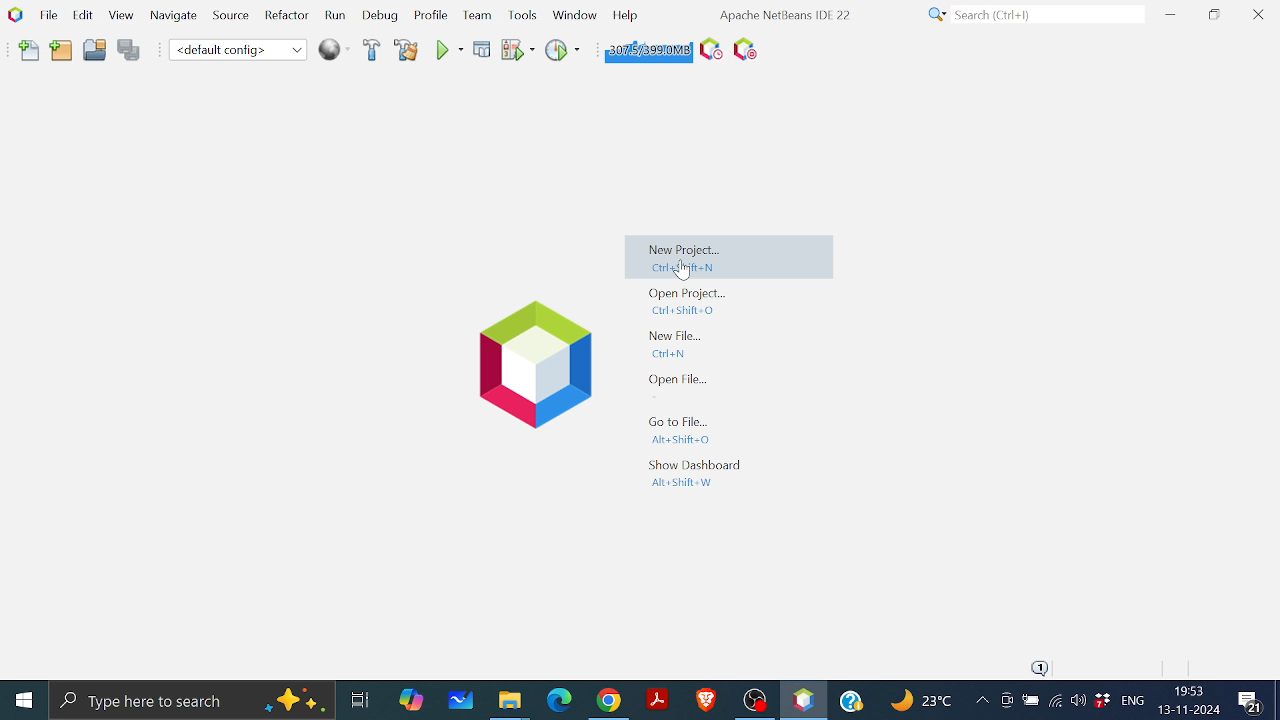 The height and width of the screenshot is (720, 1280). Describe the element at coordinates (754, 699) in the screenshot. I see `OBS studio` at that location.